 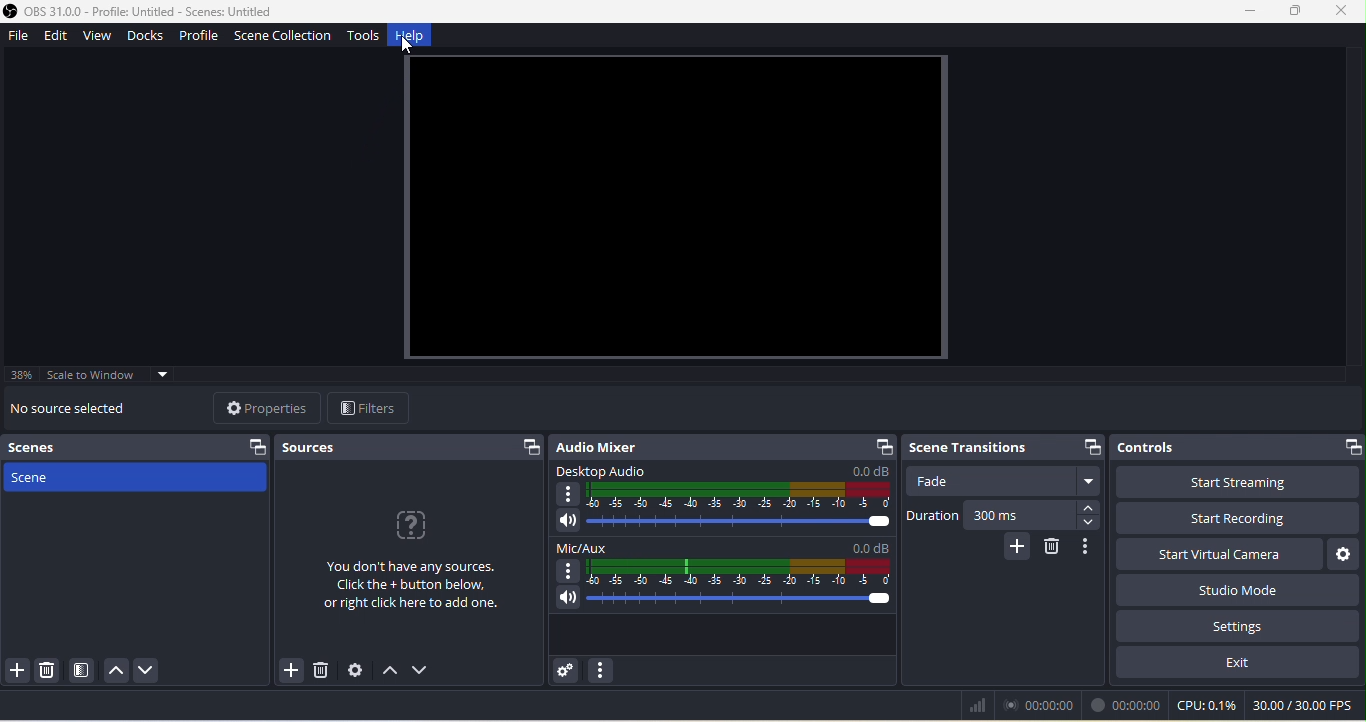 I want to click on tools, so click(x=365, y=38).